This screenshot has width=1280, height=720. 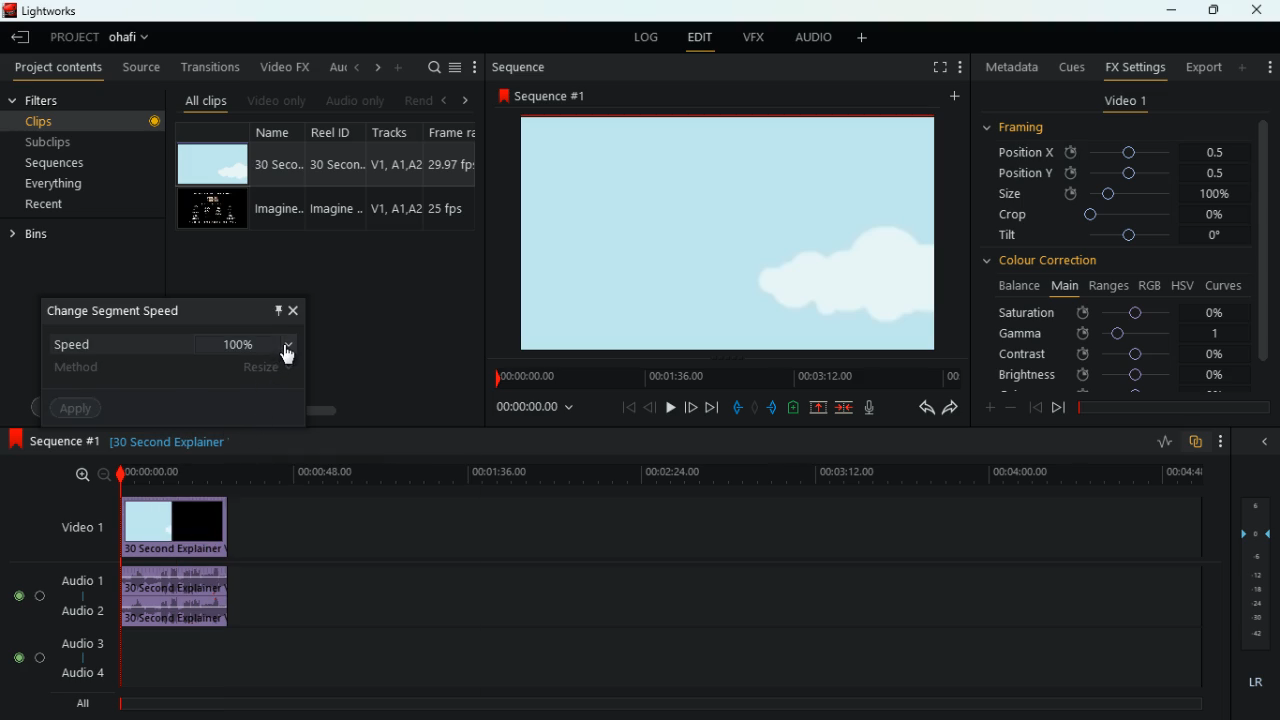 What do you see at coordinates (390, 177) in the screenshot?
I see `tracks` at bounding box center [390, 177].